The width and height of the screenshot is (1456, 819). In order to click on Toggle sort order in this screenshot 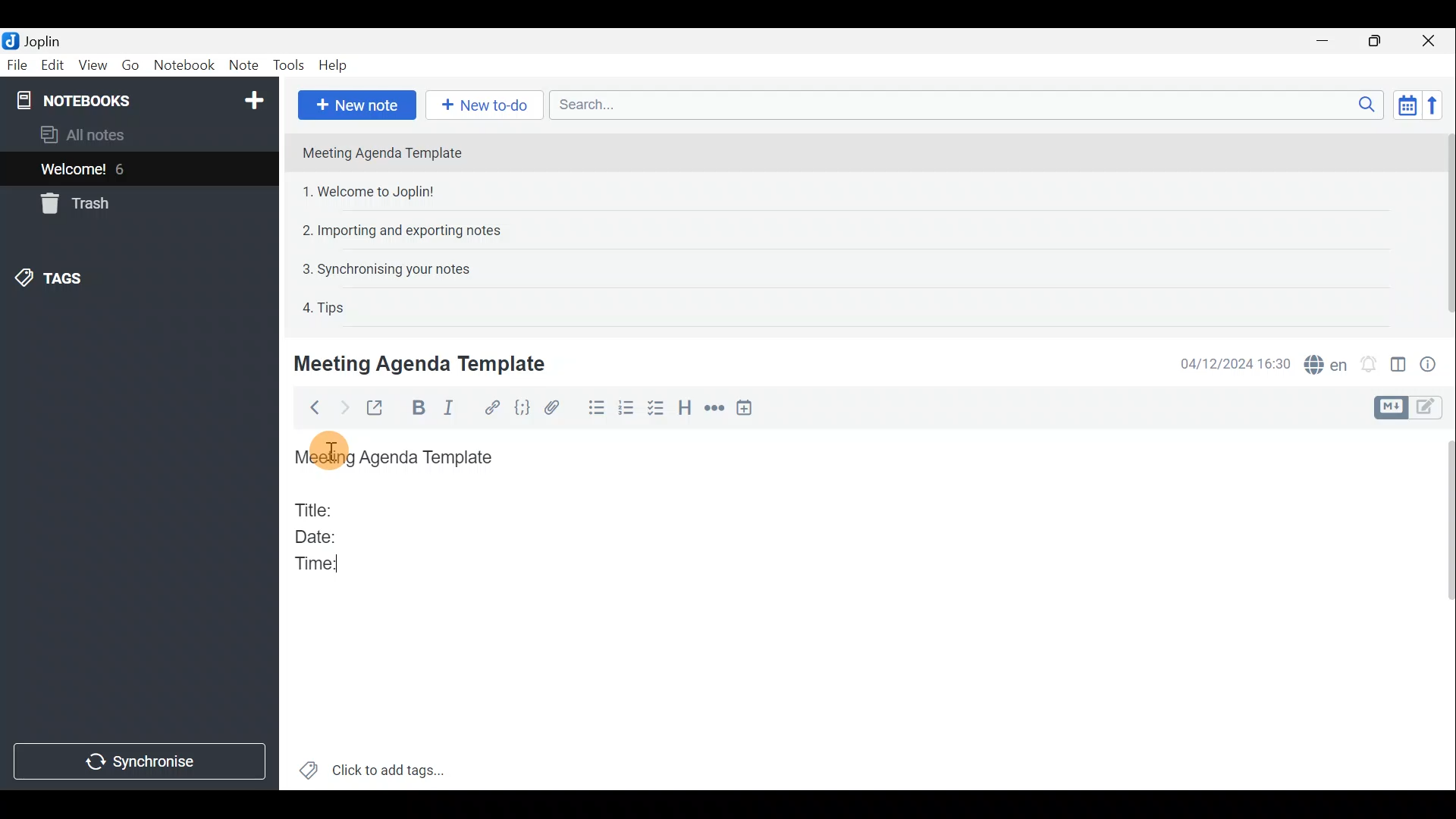, I will do `click(1404, 103)`.